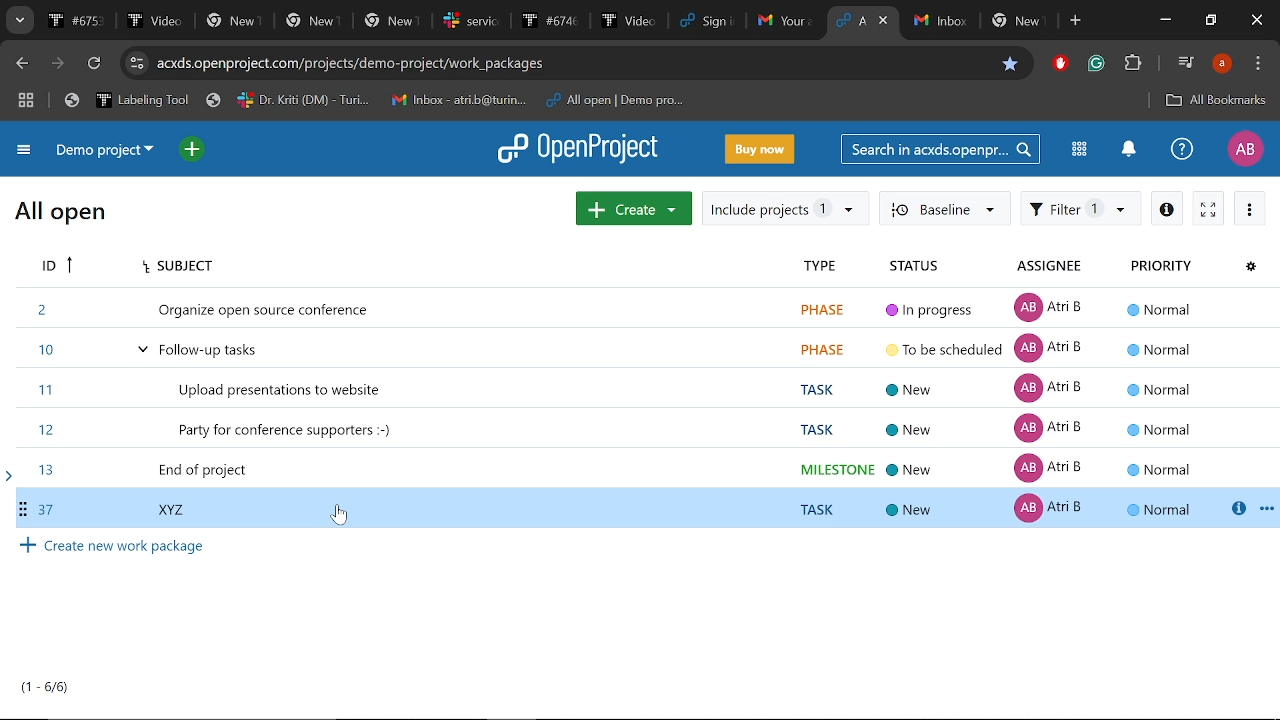 This screenshot has width=1280, height=720. Describe the element at coordinates (1079, 149) in the screenshot. I see `Modules` at that location.